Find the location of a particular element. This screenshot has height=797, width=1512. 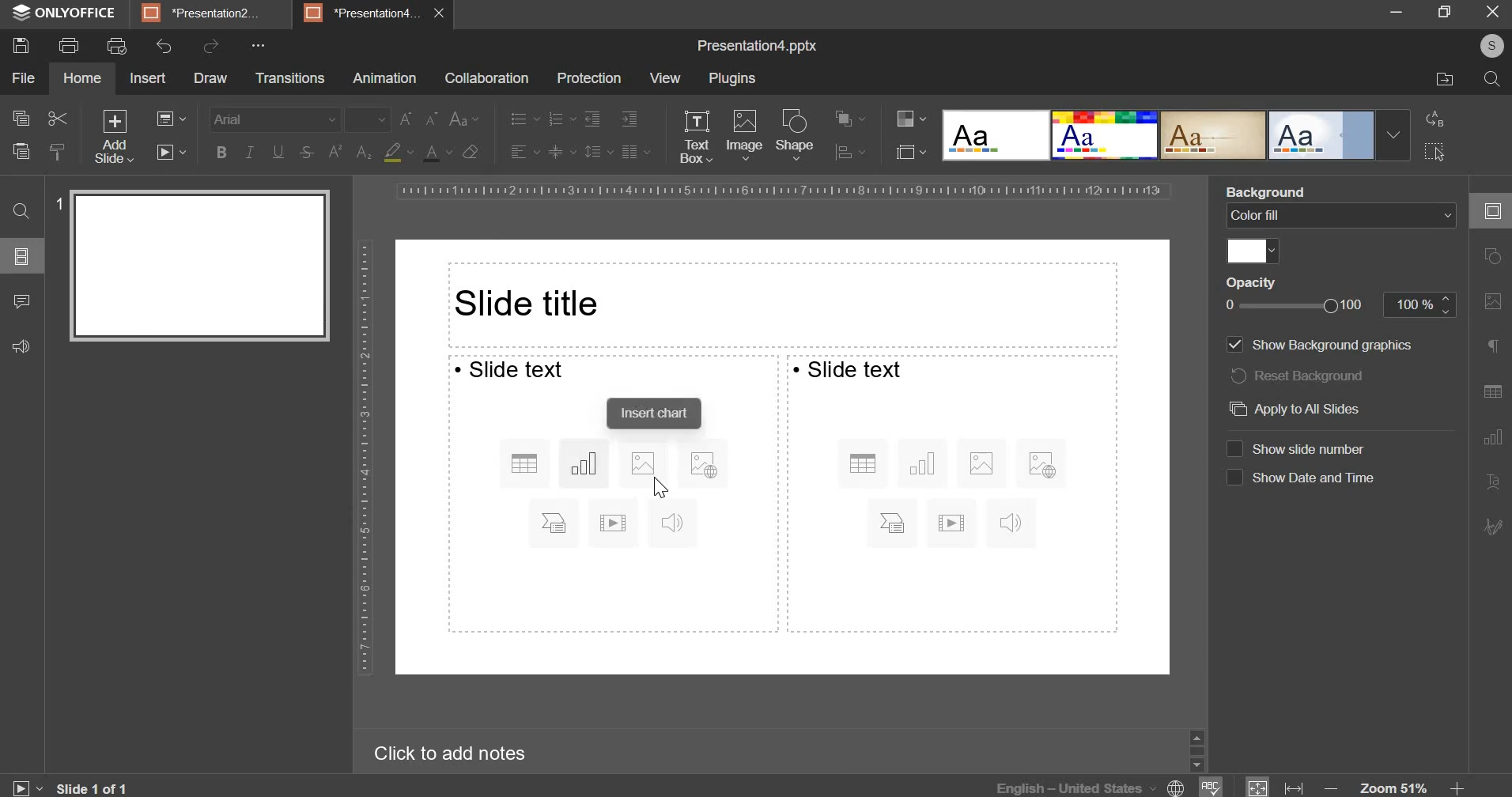

slide setting is located at coordinates (1489, 211).